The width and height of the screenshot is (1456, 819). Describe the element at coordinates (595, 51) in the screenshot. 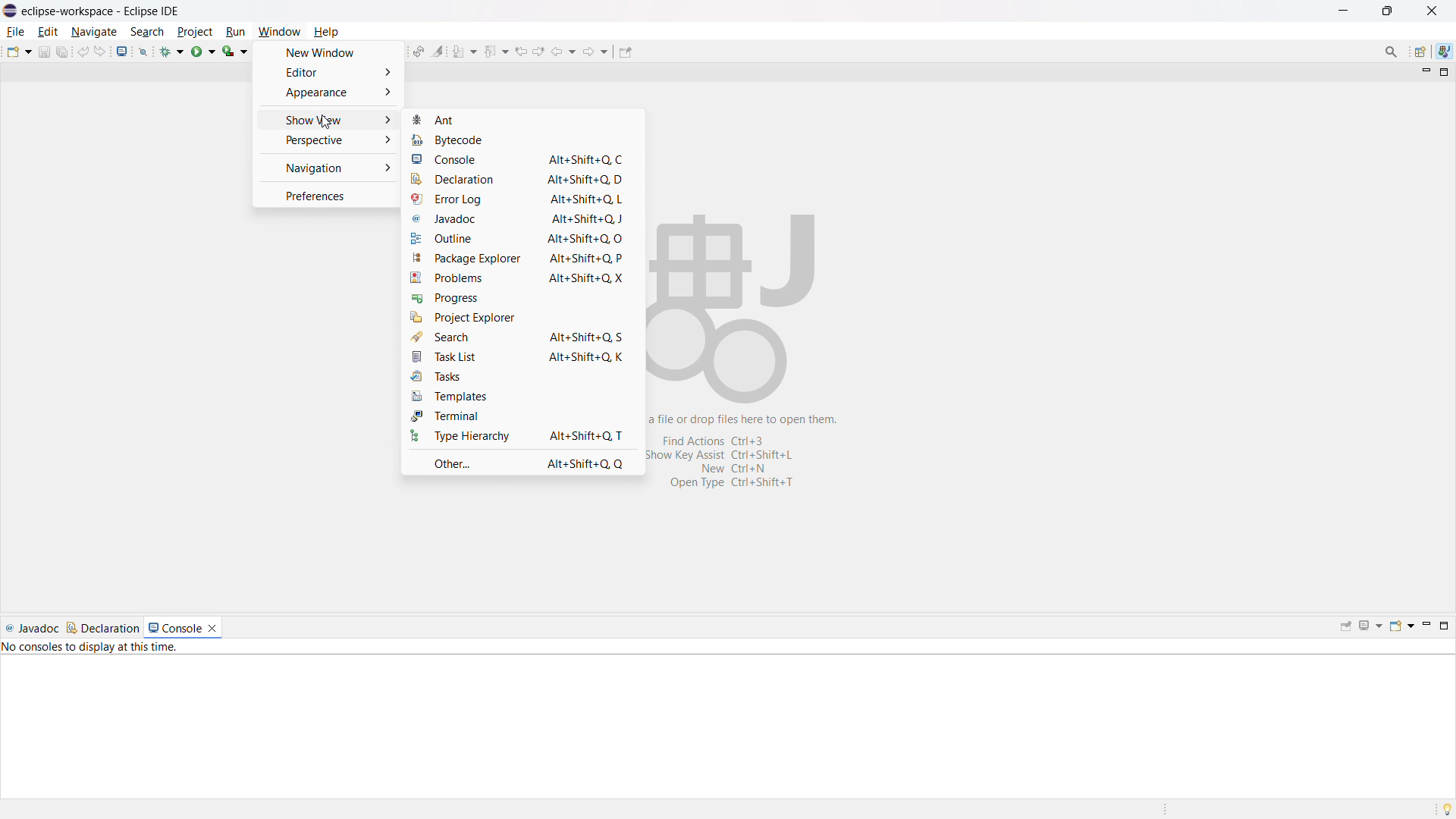

I see `forward` at that location.